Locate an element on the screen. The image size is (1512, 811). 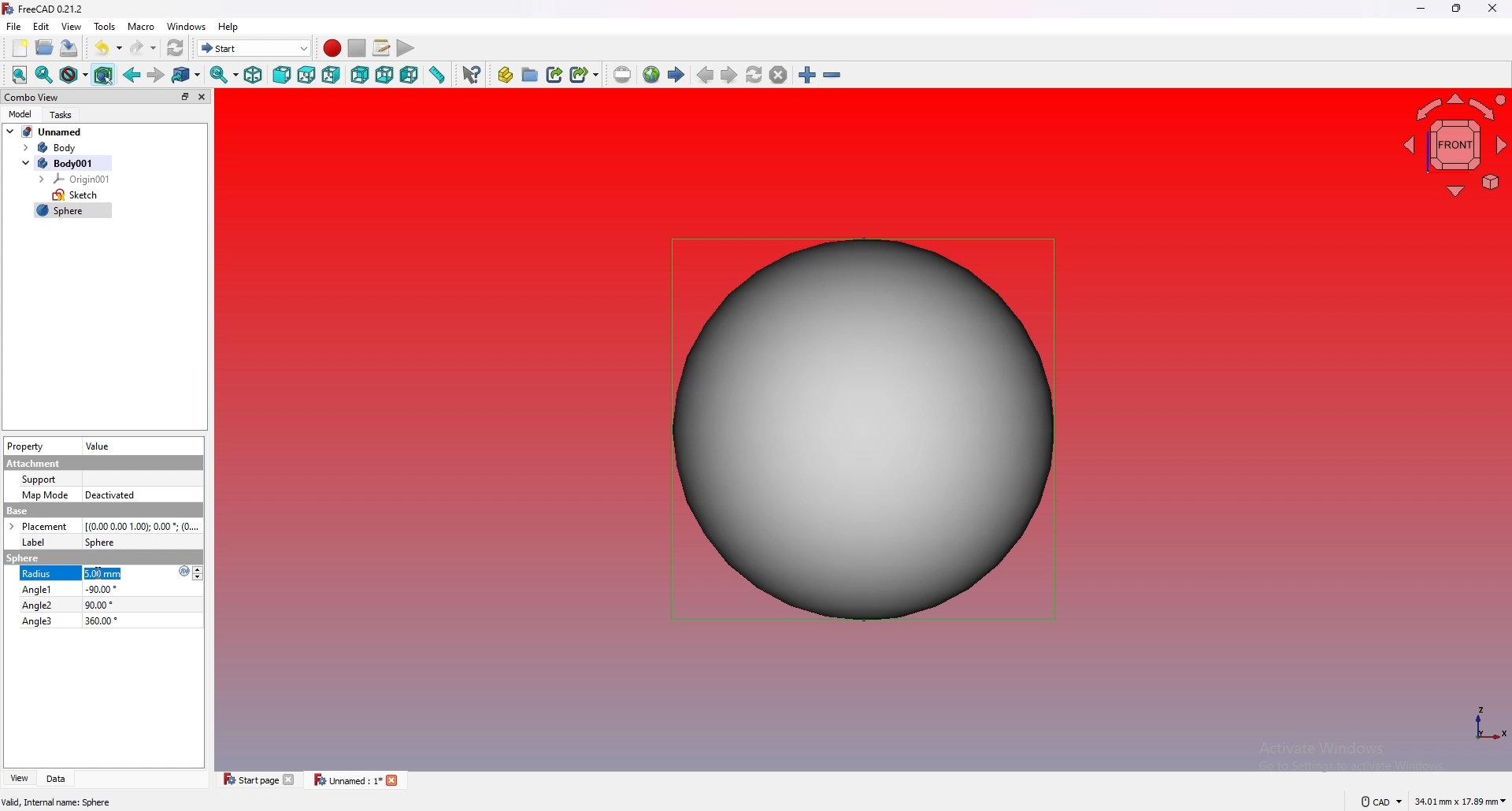
sphere is located at coordinates (100, 542).